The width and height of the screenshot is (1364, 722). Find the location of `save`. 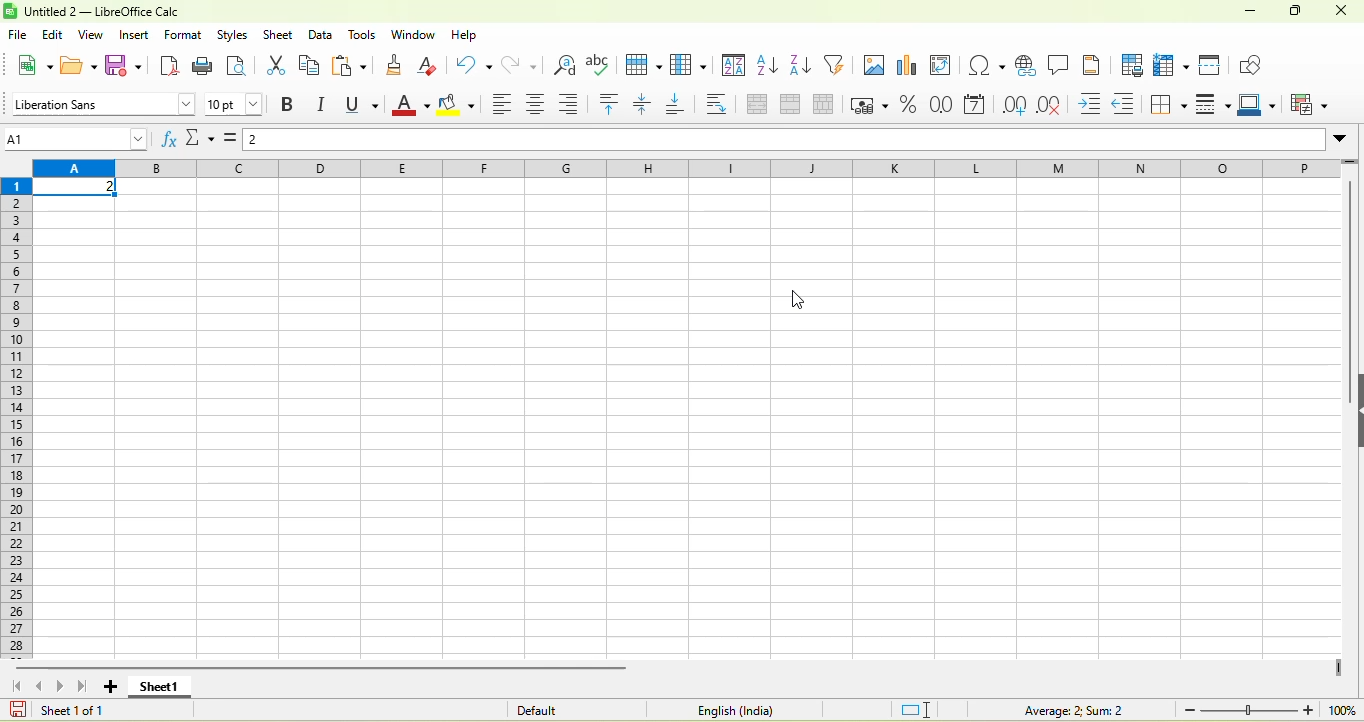

save is located at coordinates (129, 66).